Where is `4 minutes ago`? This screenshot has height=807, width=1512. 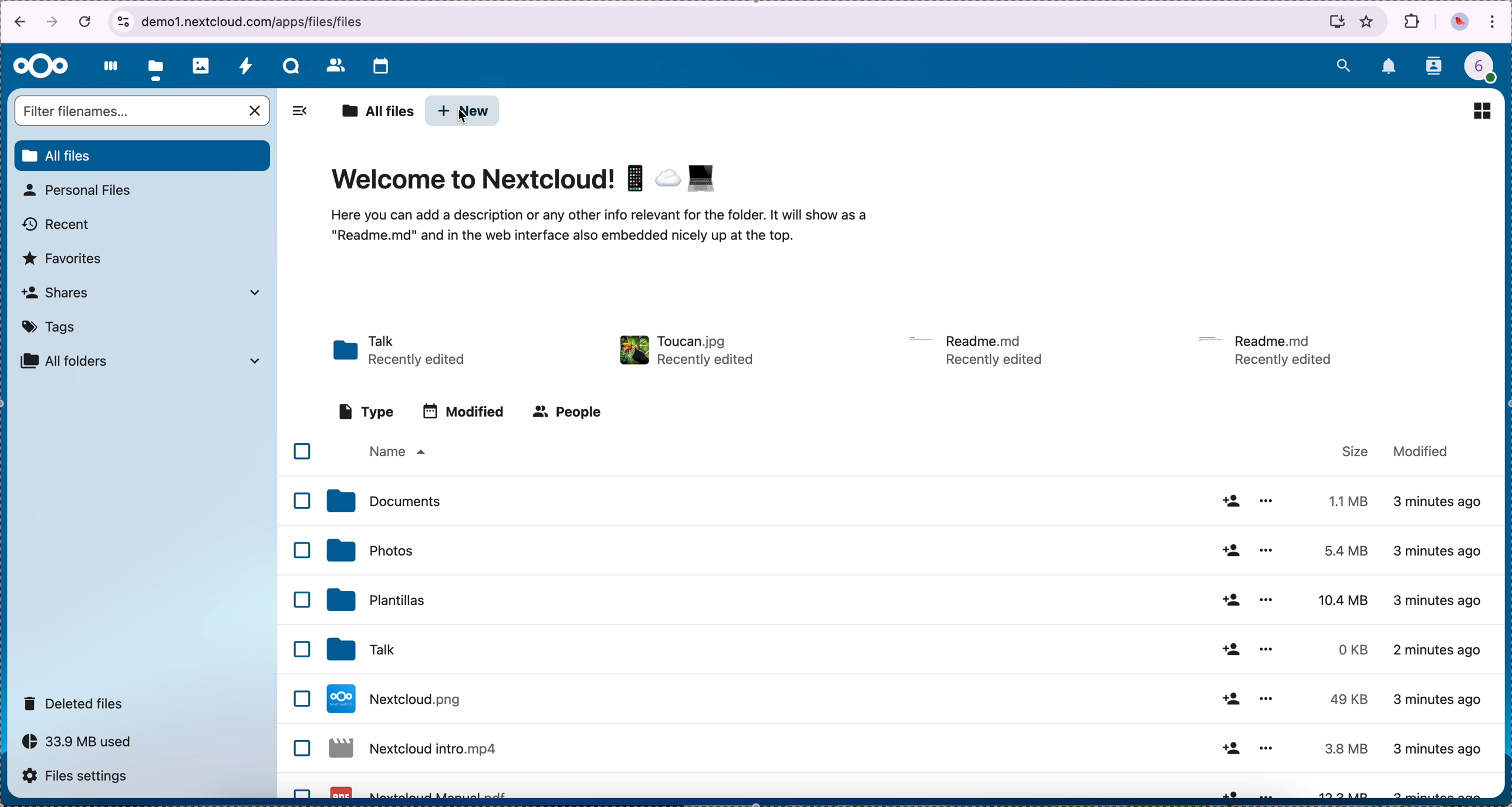
4 minutes ago is located at coordinates (1444, 698).